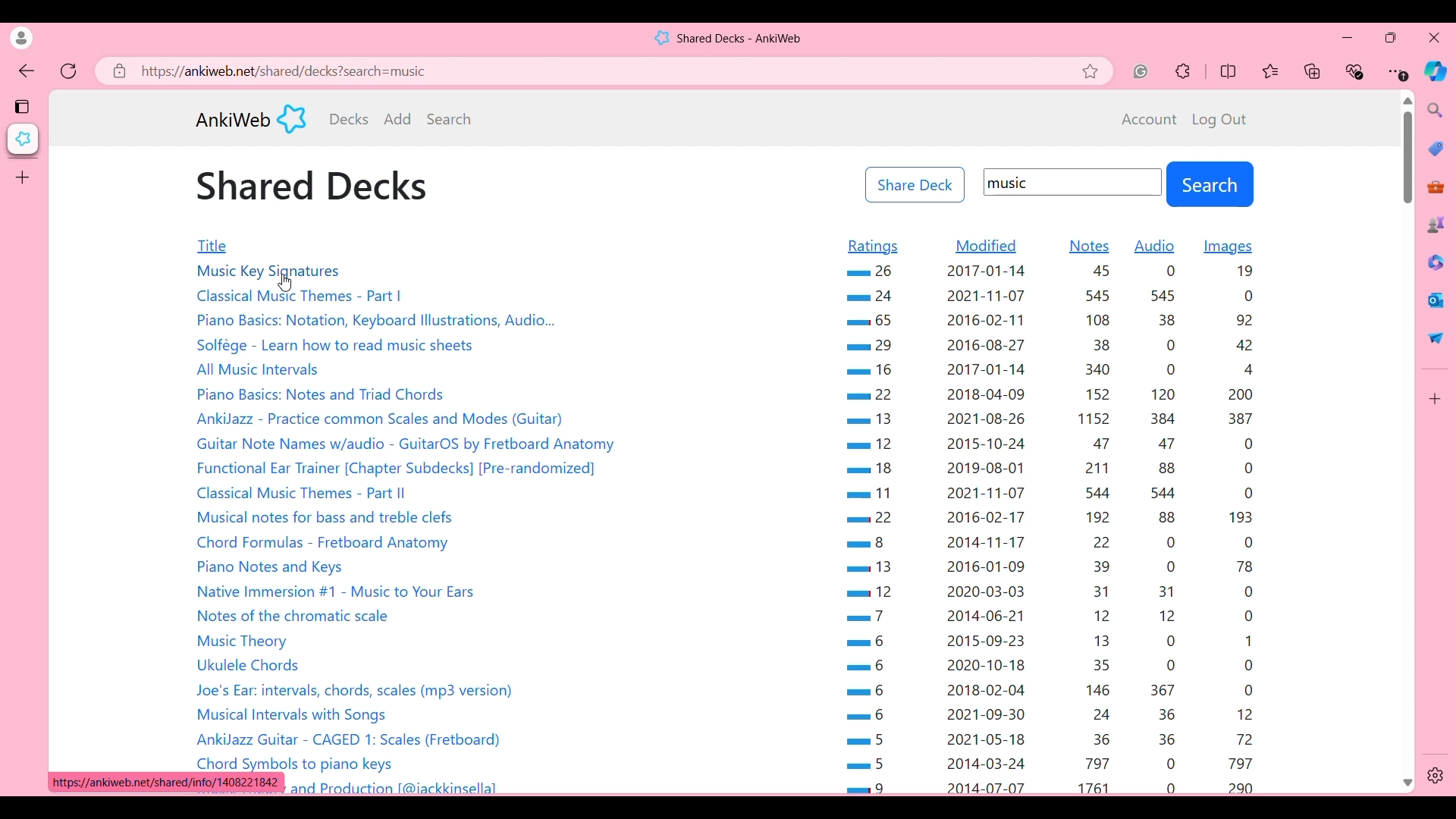 This screenshot has height=819, width=1456. Describe the element at coordinates (303, 298) in the screenshot. I see `Classical Music Themes - Part |` at that location.